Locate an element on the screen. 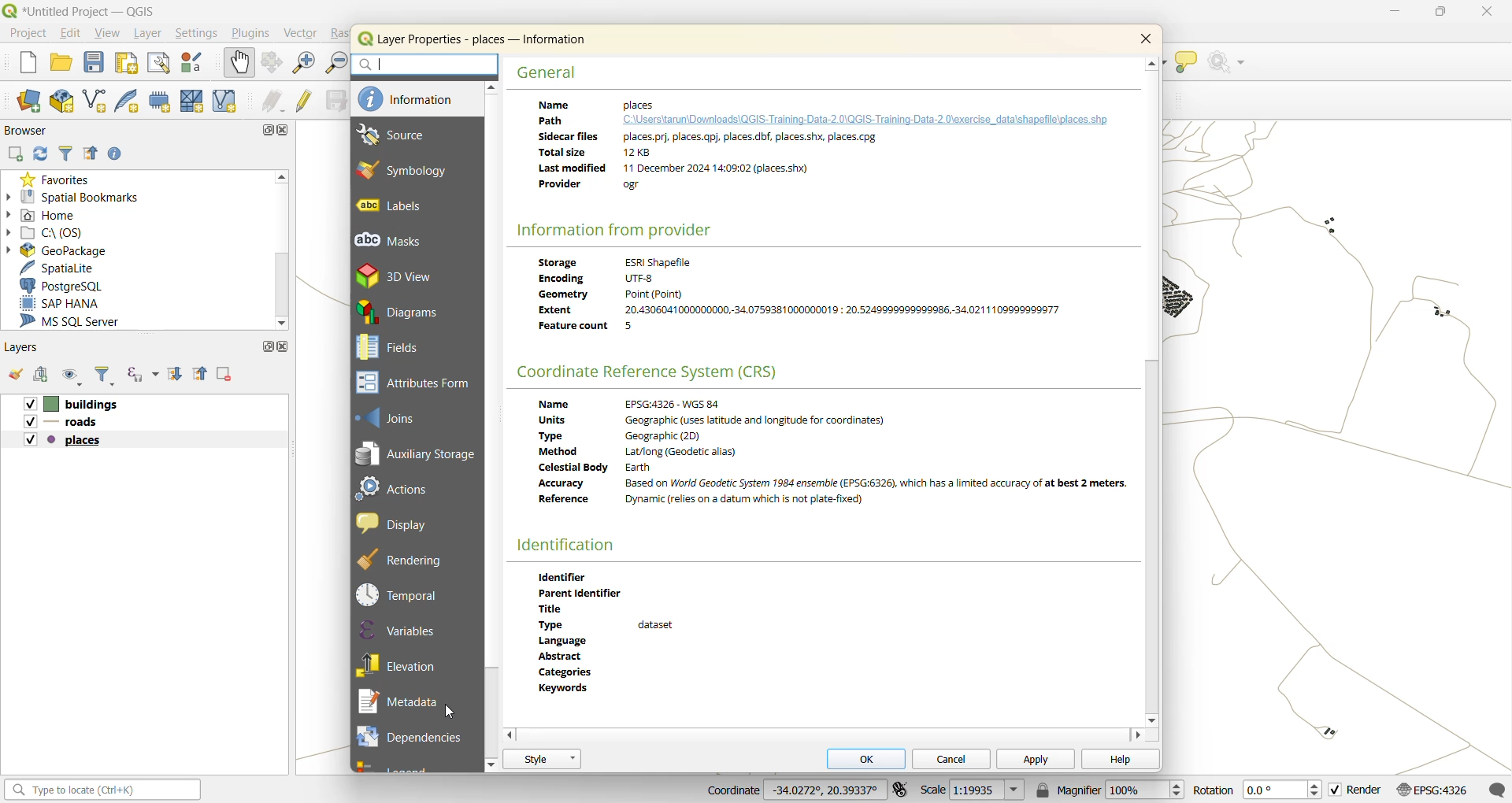 The image size is (1512, 803). add is located at coordinates (46, 376).